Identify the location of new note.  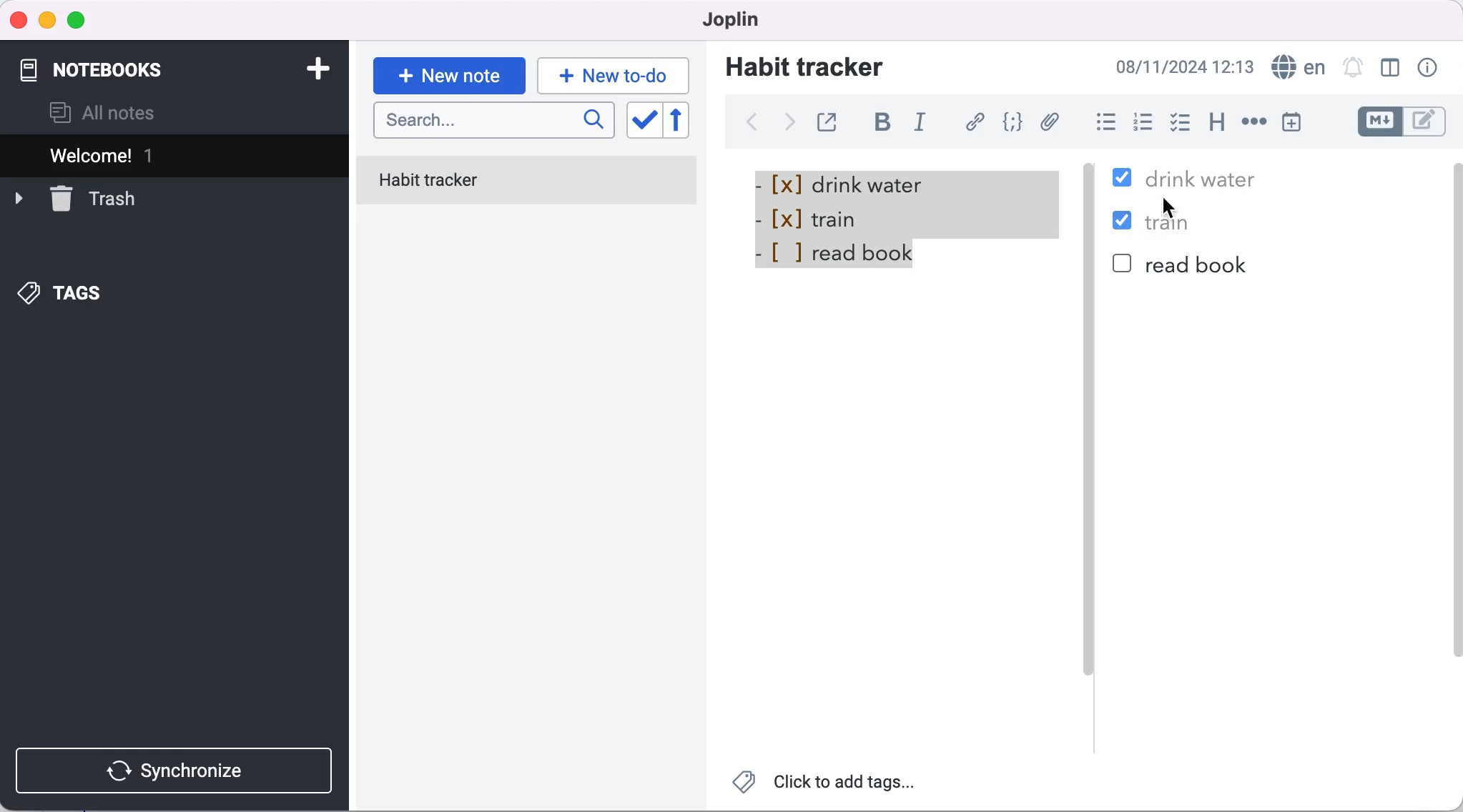
(448, 76).